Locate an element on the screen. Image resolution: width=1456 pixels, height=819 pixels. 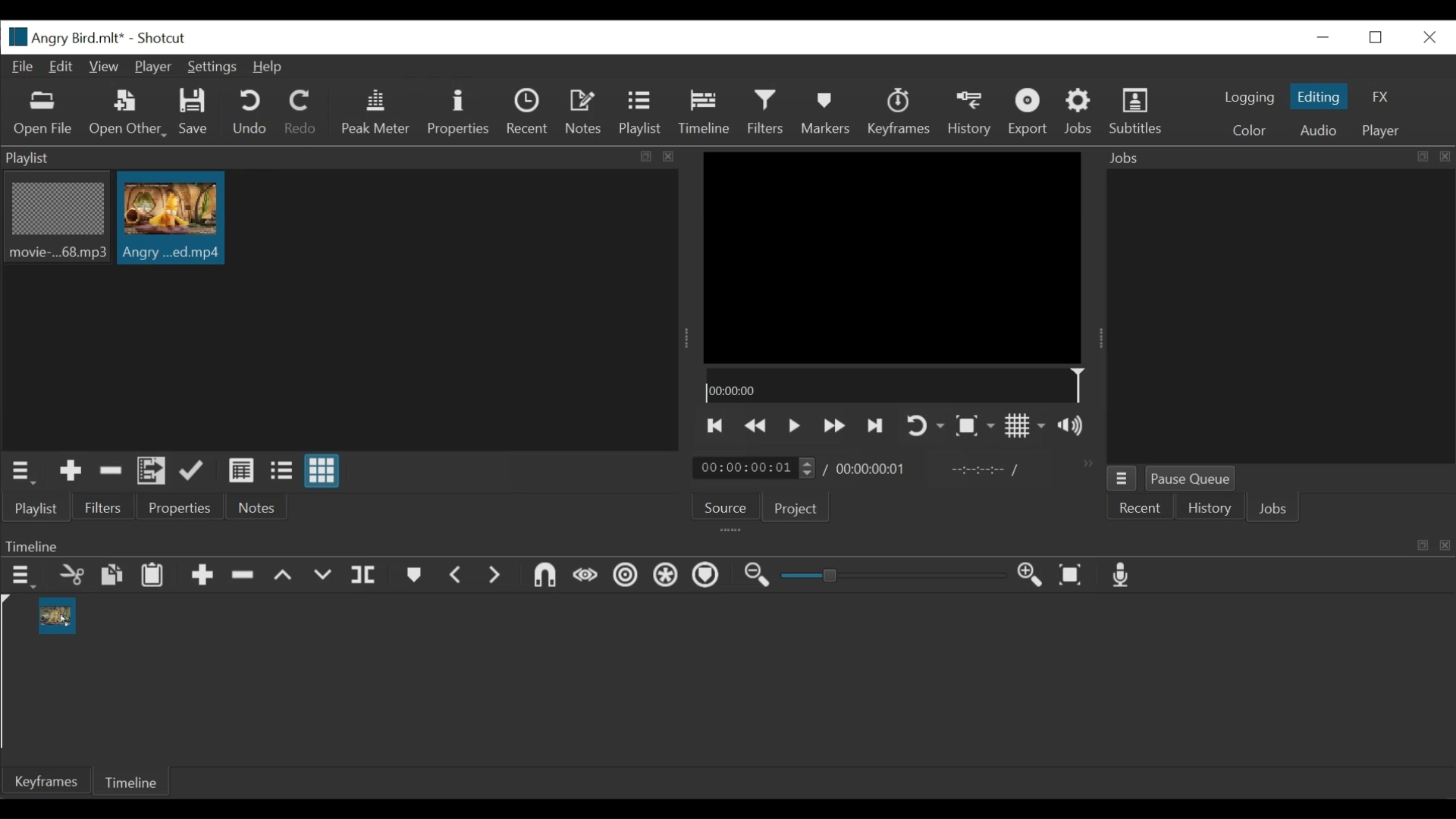
Remove cut is located at coordinates (111, 472).